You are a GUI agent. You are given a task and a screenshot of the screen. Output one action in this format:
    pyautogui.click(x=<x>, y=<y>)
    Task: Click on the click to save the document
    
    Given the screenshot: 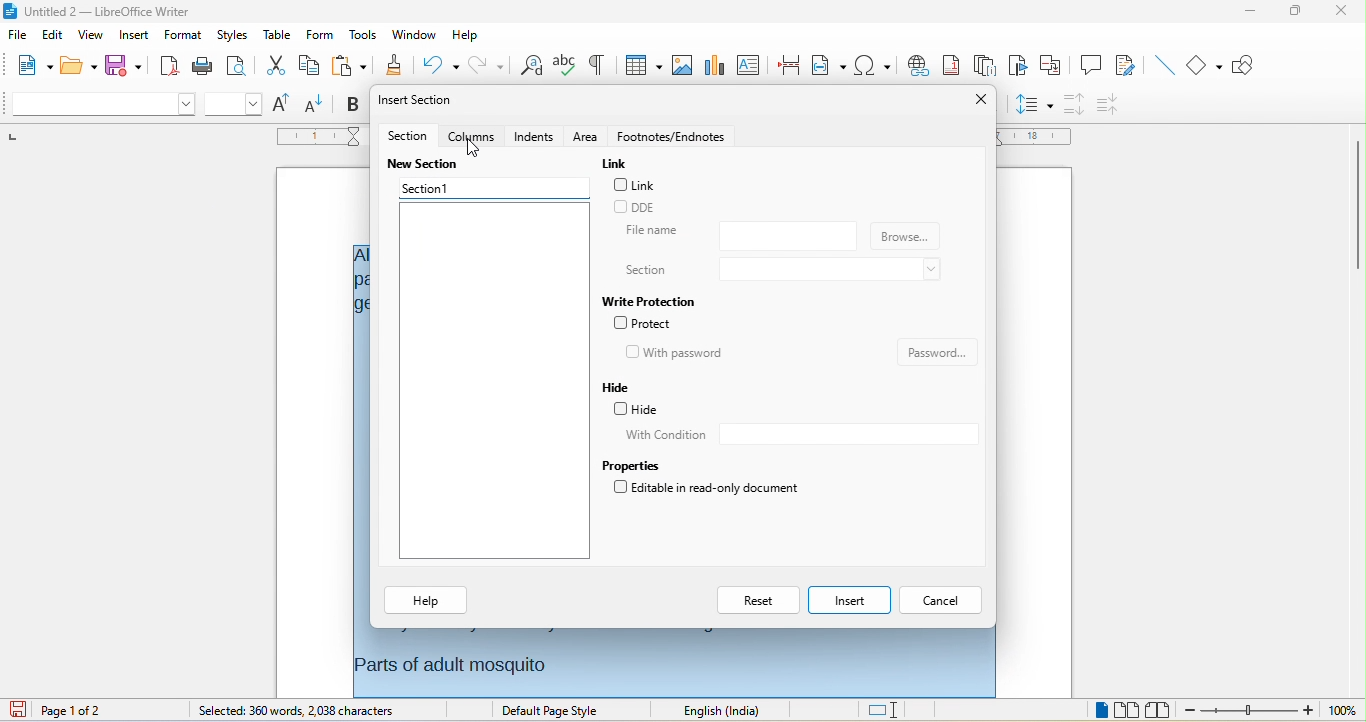 What is the action you would take?
    pyautogui.click(x=17, y=710)
    